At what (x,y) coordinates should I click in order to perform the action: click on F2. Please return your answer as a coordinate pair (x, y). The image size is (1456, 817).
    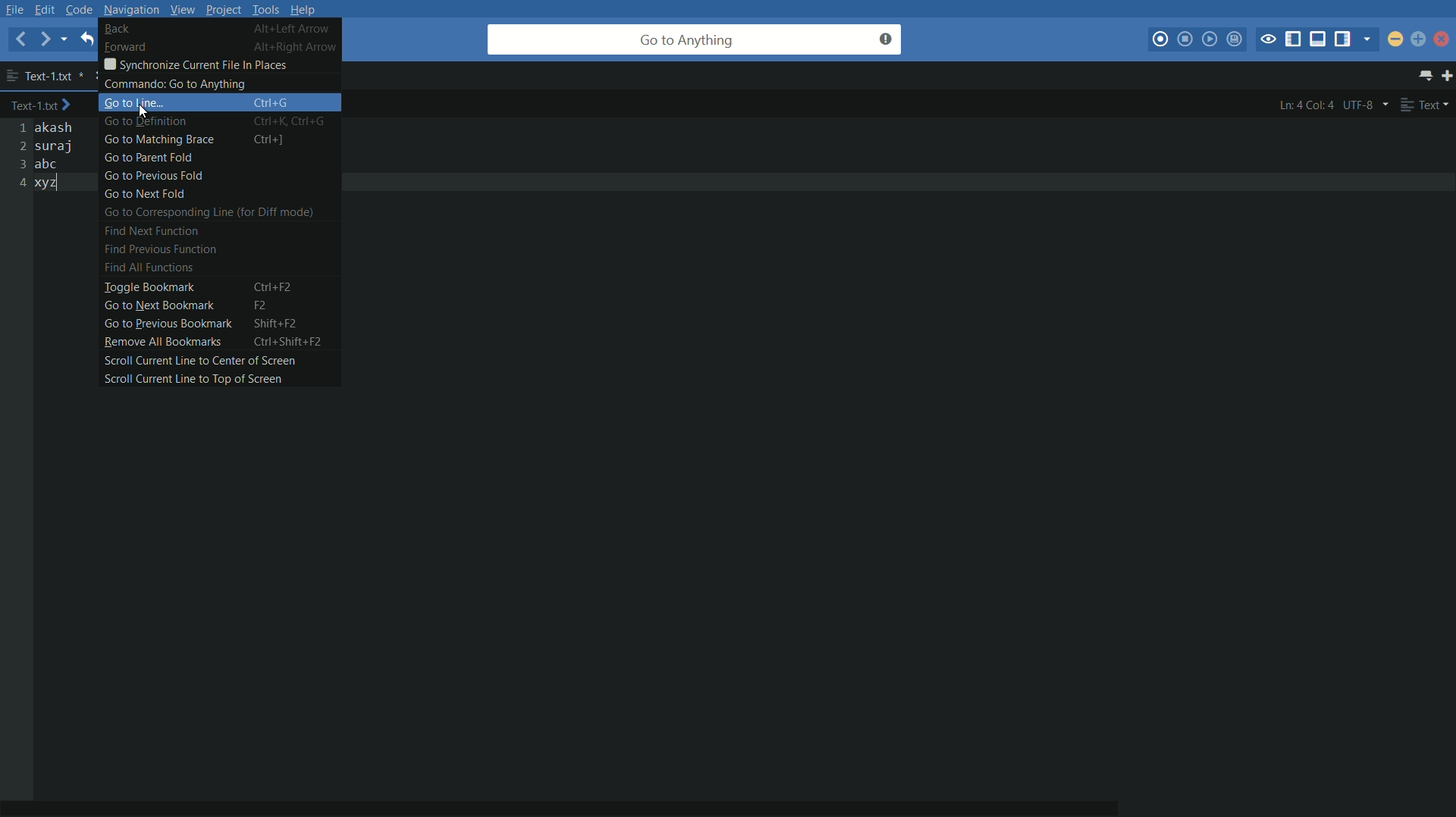
    Looking at the image, I should click on (267, 306).